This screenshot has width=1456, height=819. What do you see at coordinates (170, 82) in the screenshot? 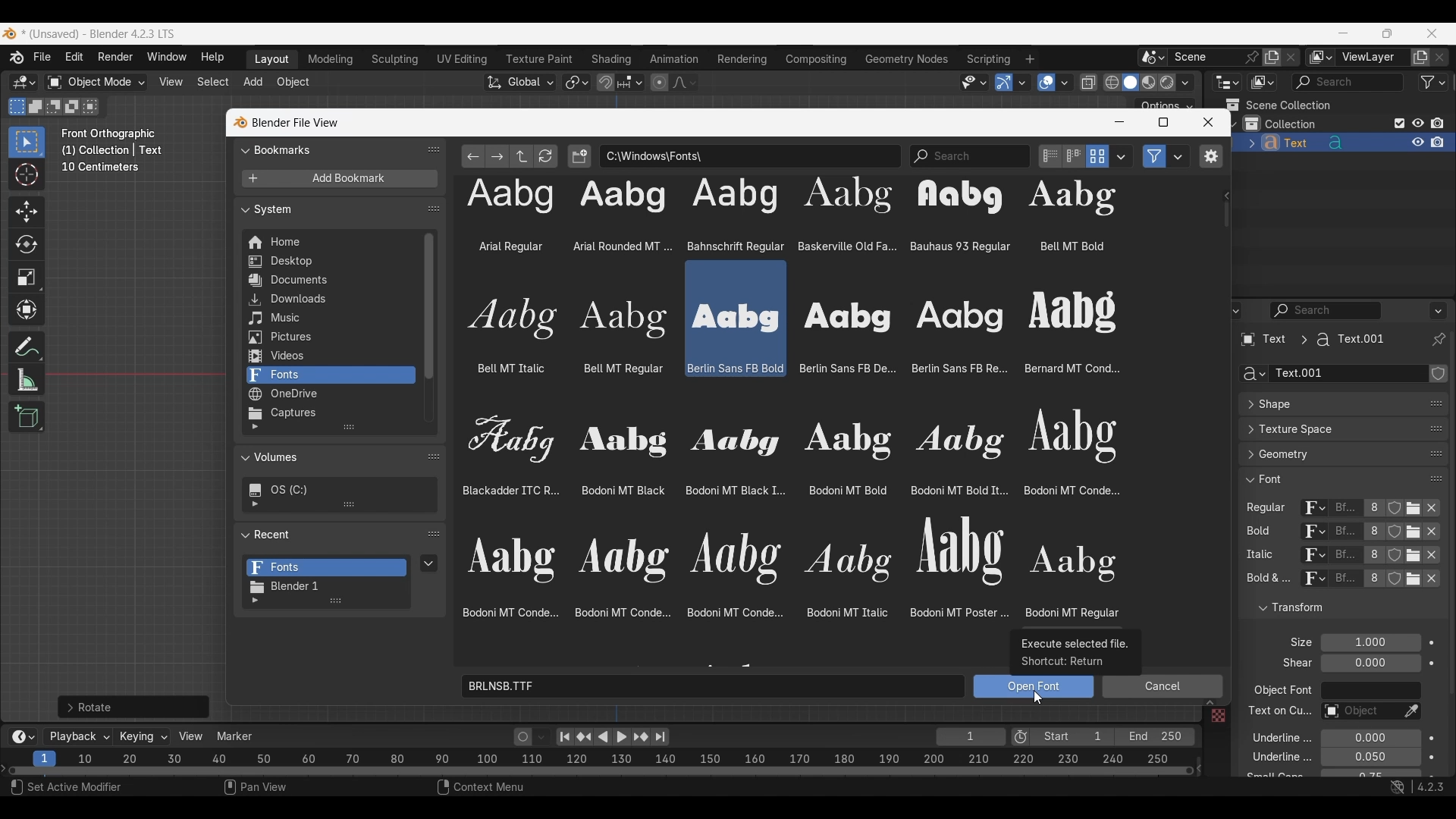
I see `View menu` at bounding box center [170, 82].